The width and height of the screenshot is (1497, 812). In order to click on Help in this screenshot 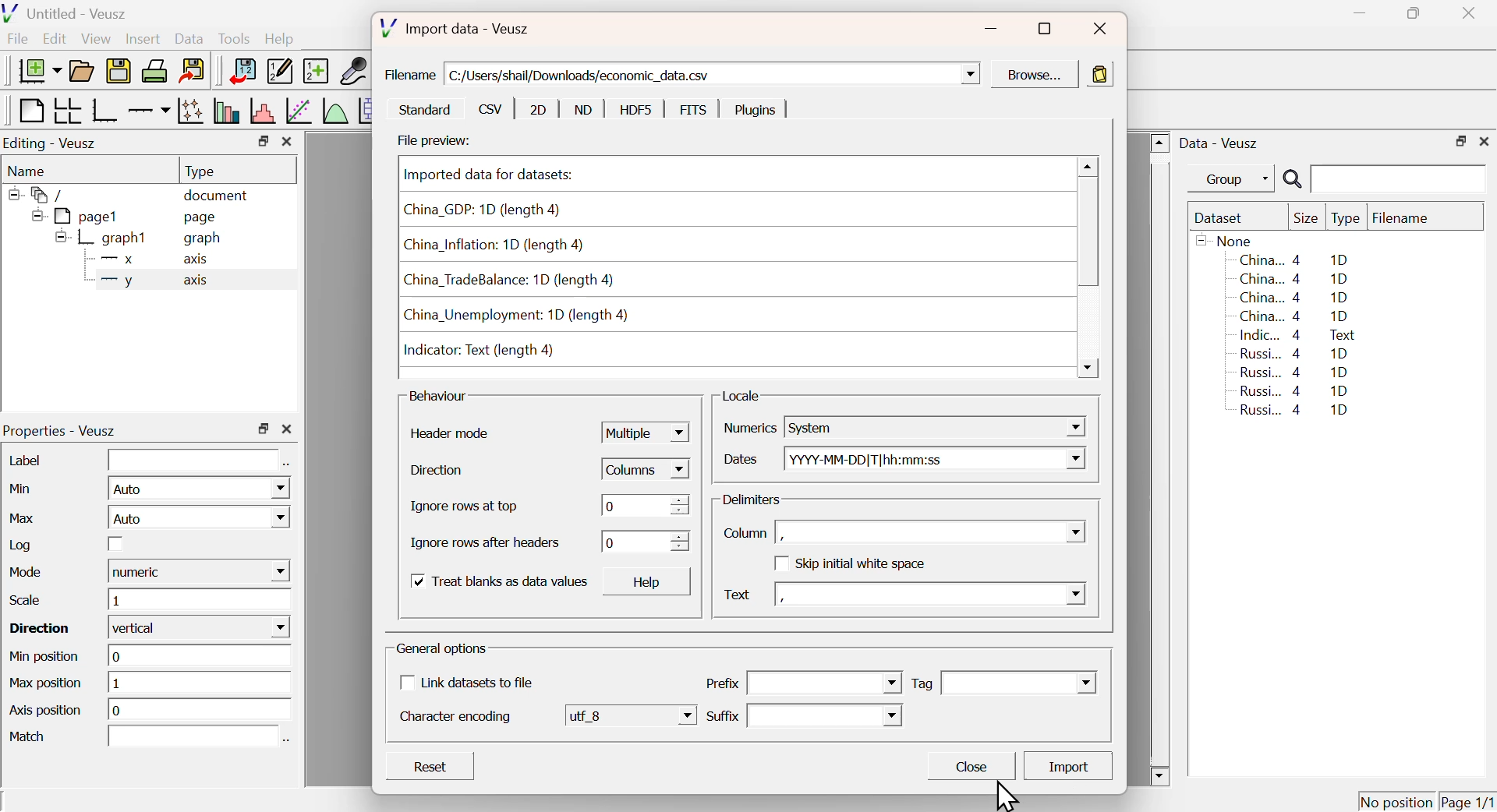, I will do `click(280, 39)`.